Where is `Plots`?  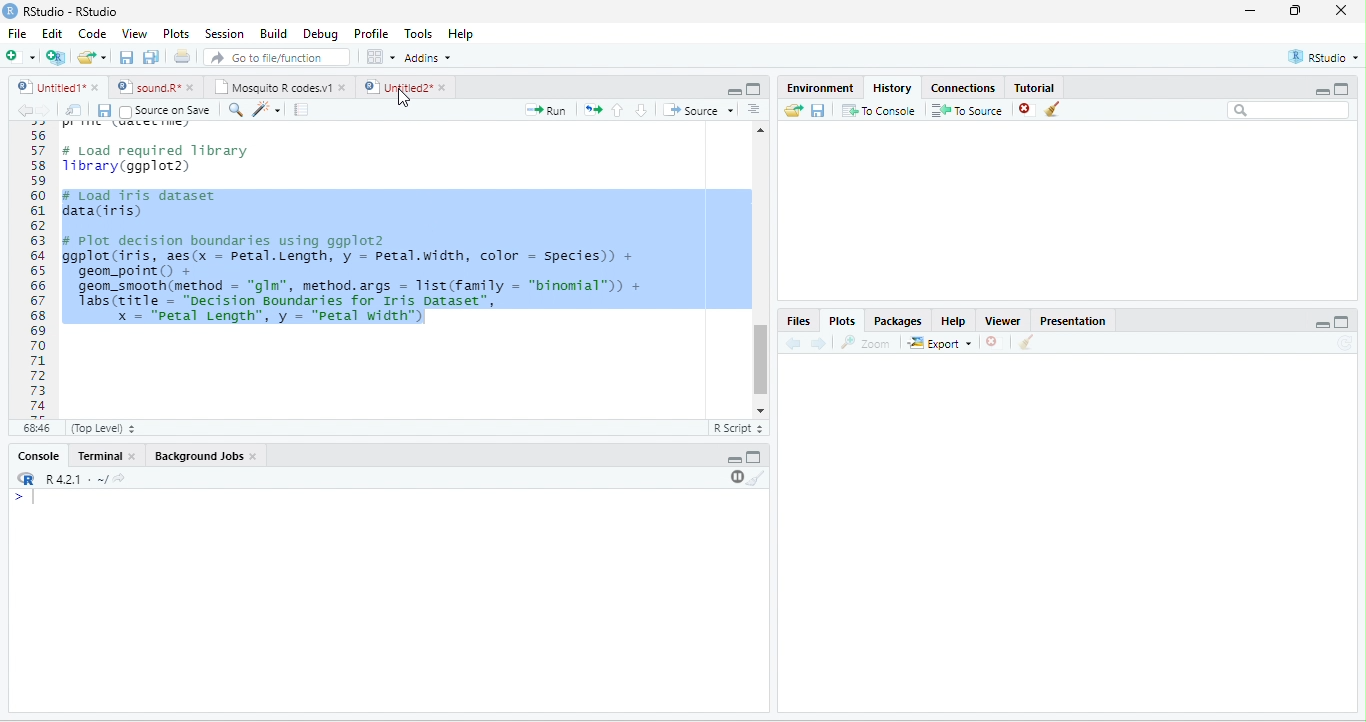
Plots is located at coordinates (843, 322).